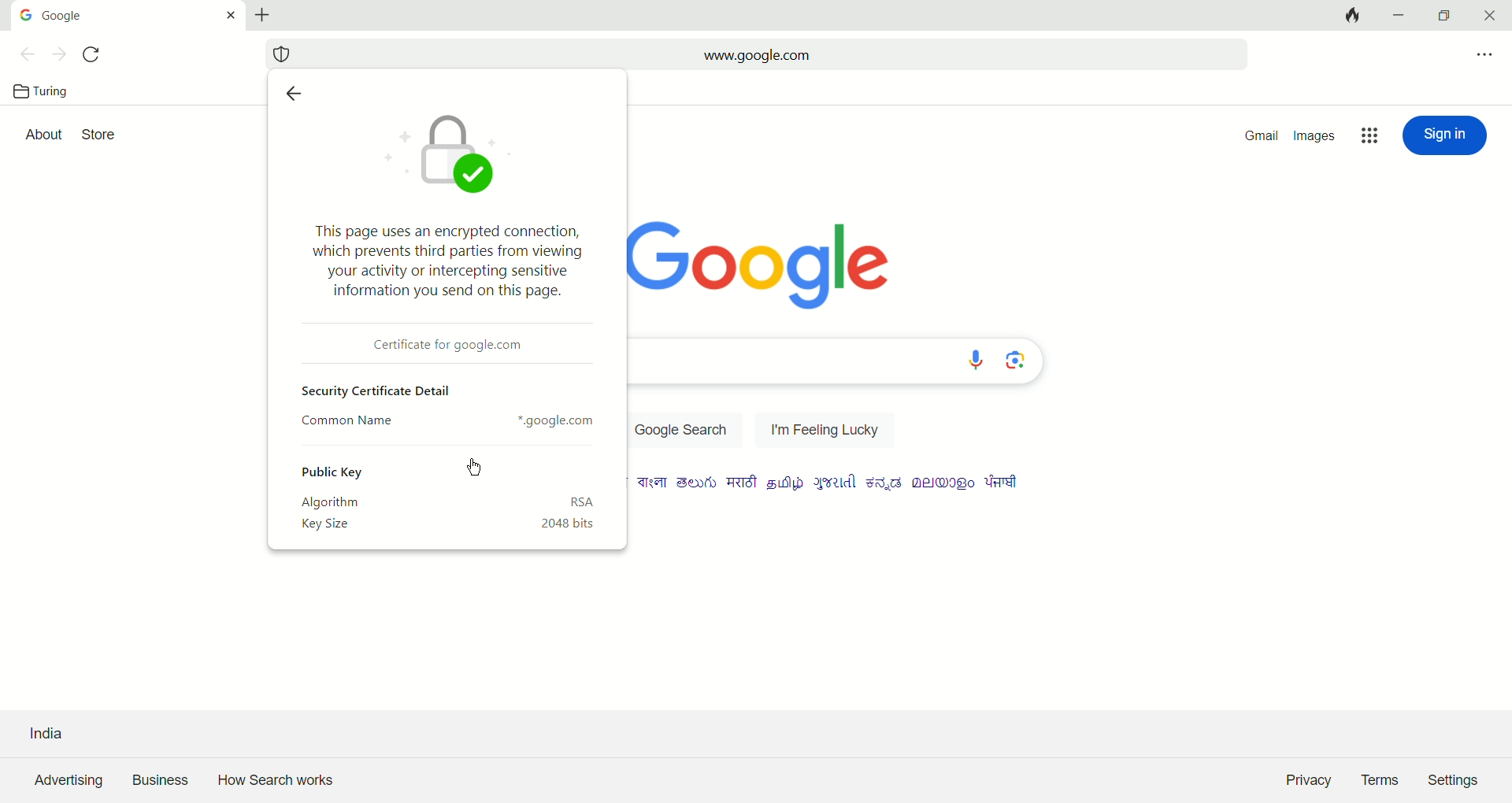 The image size is (1512, 803). What do you see at coordinates (47, 723) in the screenshot?
I see `India` at bounding box center [47, 723].